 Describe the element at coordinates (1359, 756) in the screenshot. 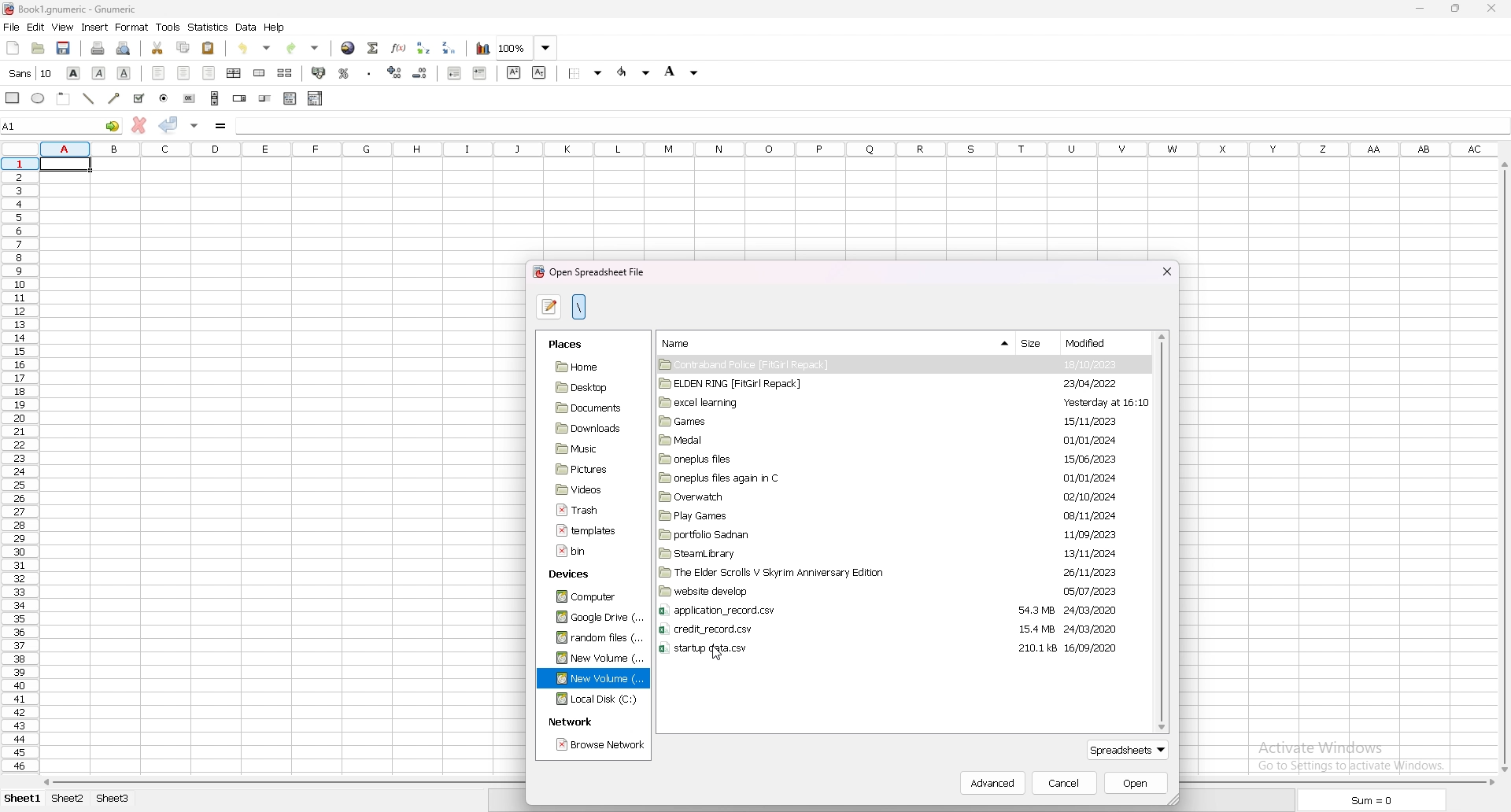

I see `Active Windows Go to Settings Windows` at that location.